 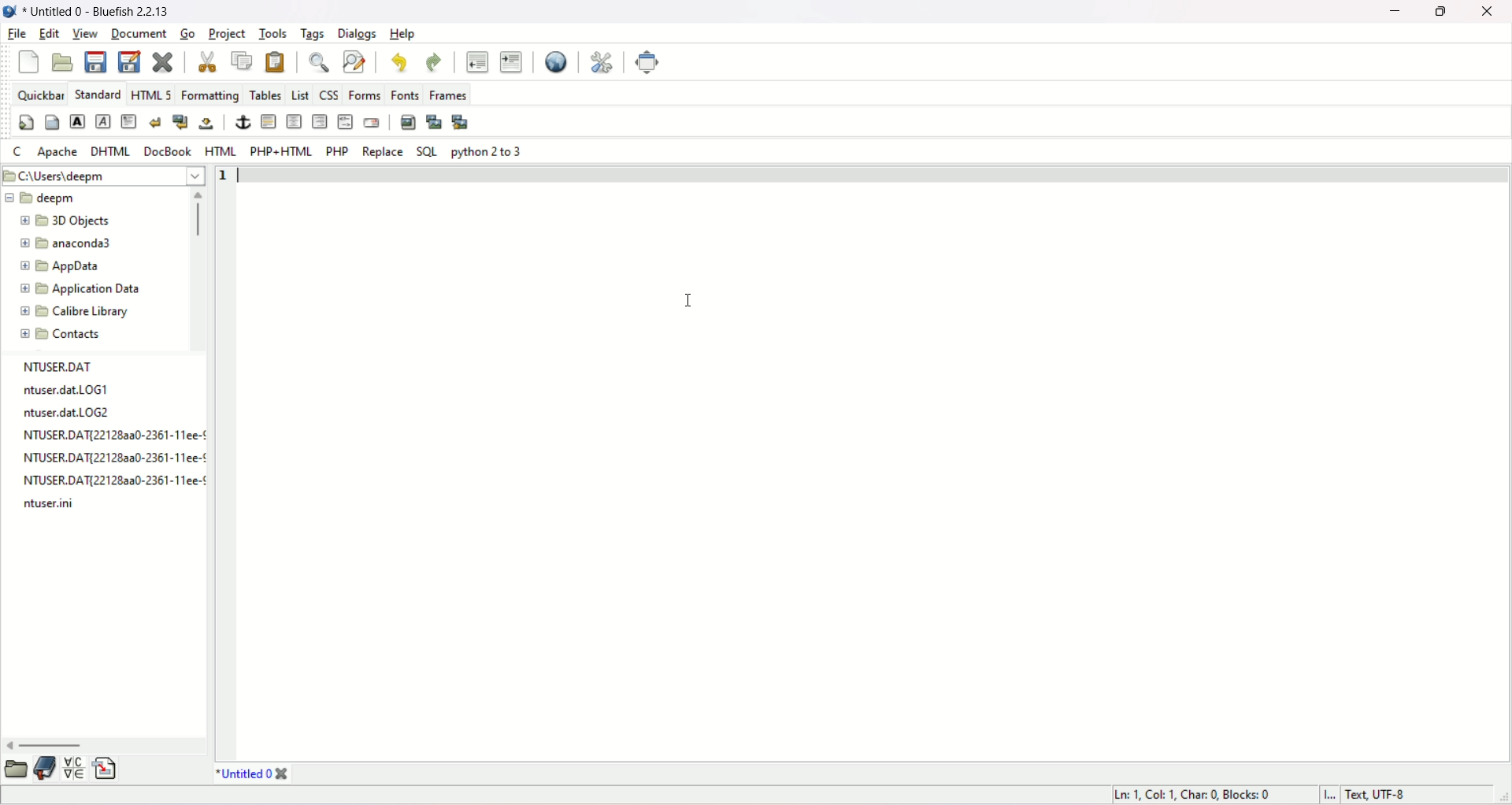 What do you see at coordinates (51, 123) in the screenshot?
I see `body` at bounding box center [51, 123].